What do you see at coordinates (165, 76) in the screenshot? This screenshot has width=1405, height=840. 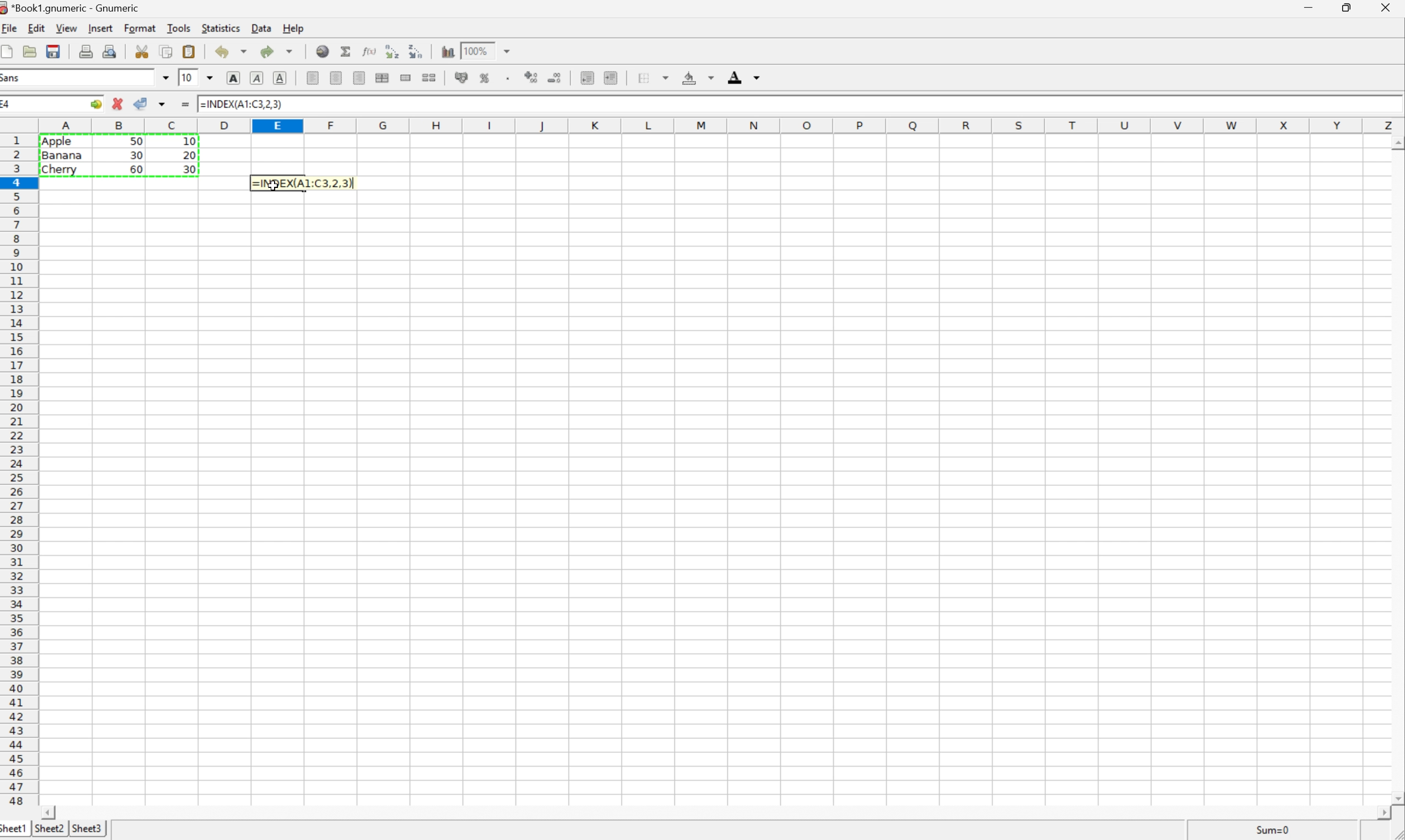 I see `drop down` at bounding box center [165, 76].